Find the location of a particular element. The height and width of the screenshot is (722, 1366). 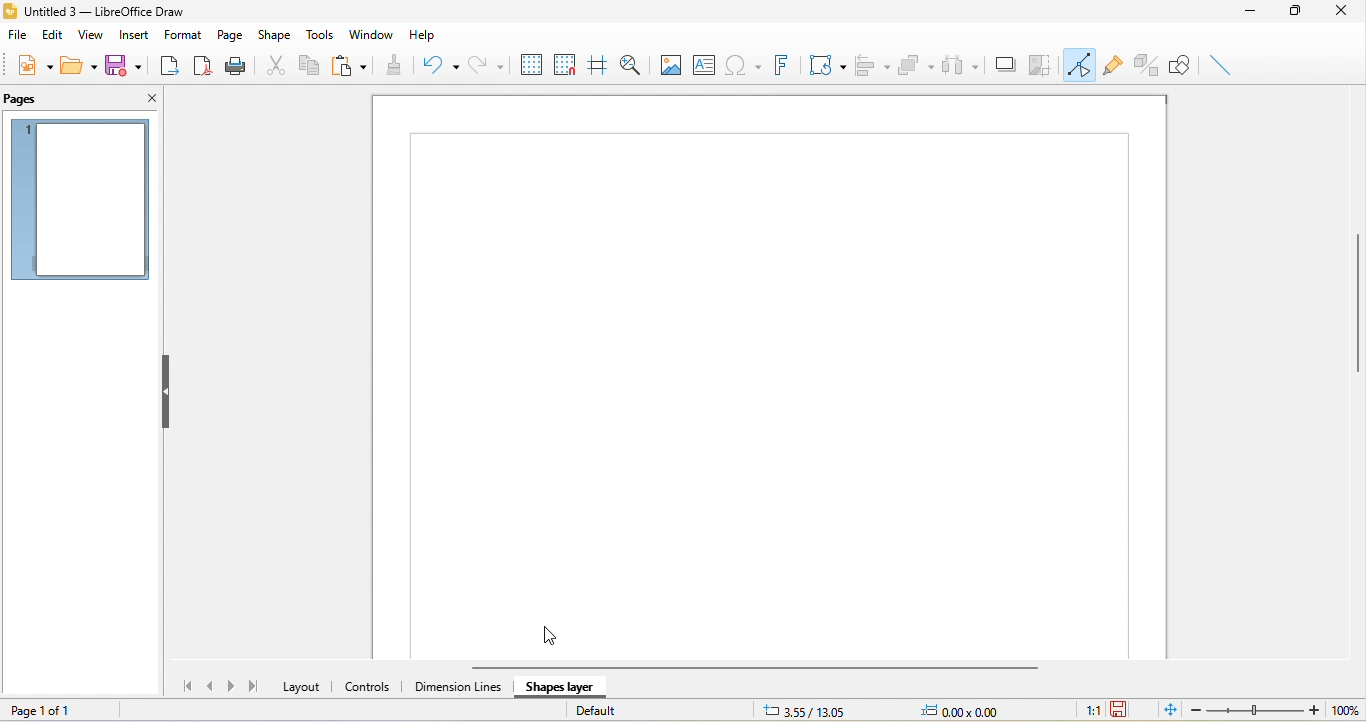

arrange is located at coordinates (917, 64).